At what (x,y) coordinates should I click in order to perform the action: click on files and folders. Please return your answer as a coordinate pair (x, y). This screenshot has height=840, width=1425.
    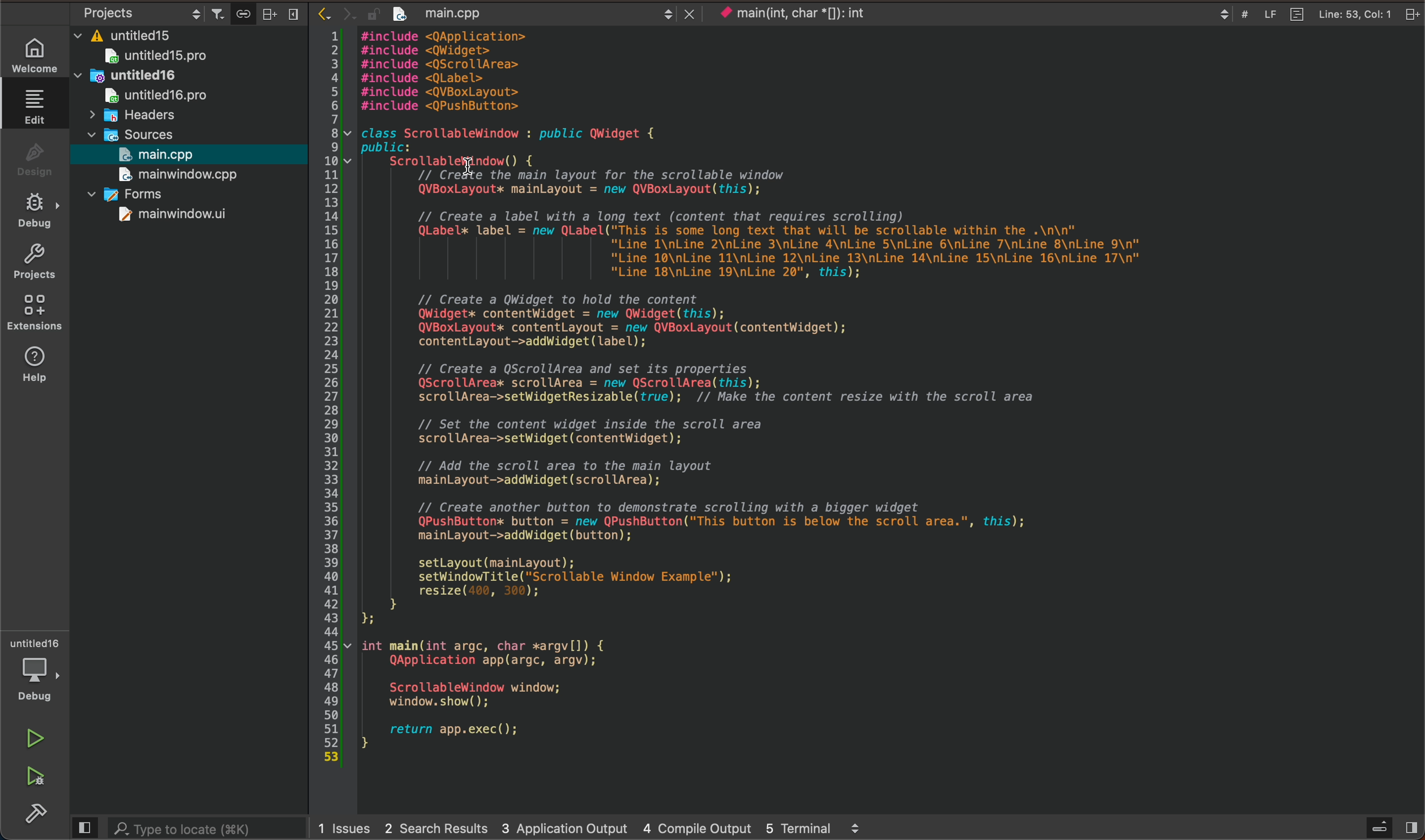
    Looking at the image, I should click on (187, 37).